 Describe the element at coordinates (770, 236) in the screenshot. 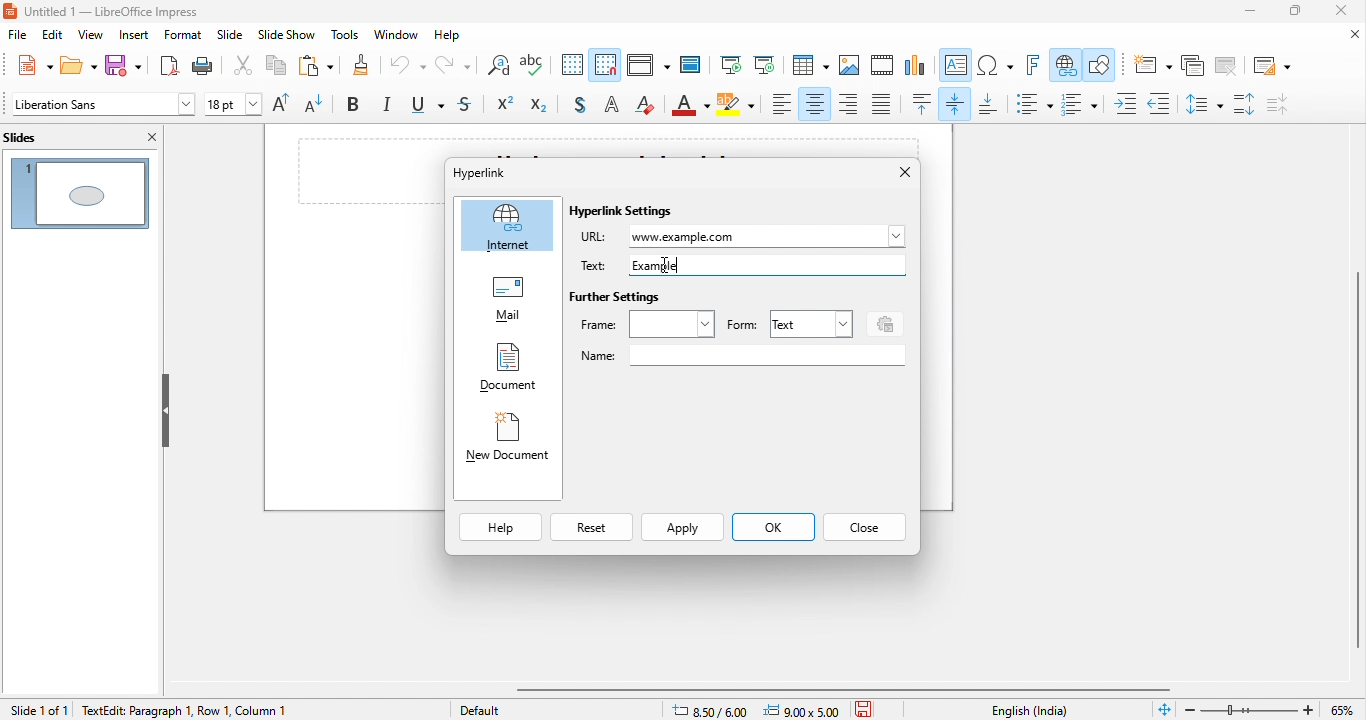

I see `www.example.com` at that location.